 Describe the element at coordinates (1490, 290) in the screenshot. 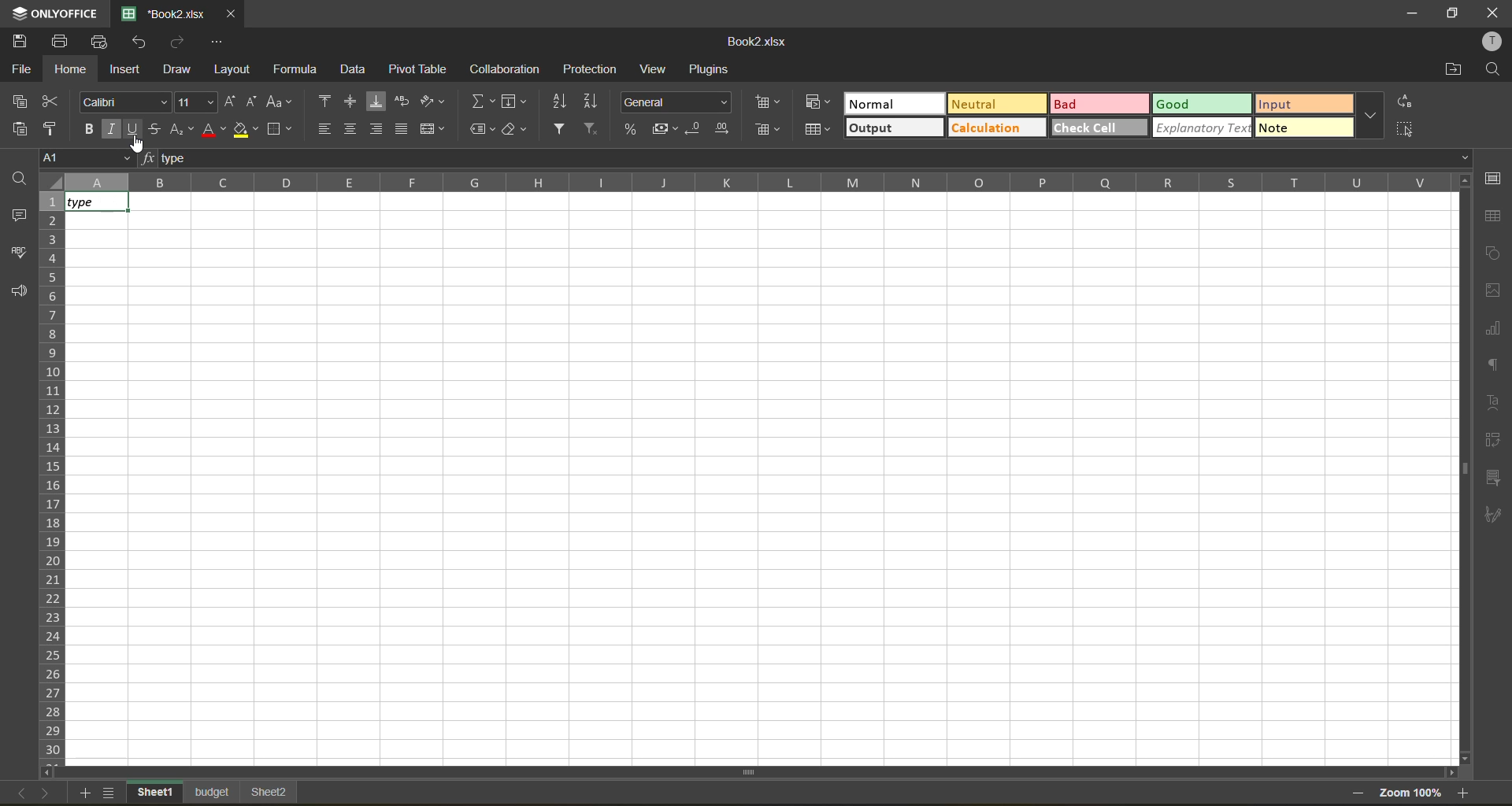

I see `images` at that location.